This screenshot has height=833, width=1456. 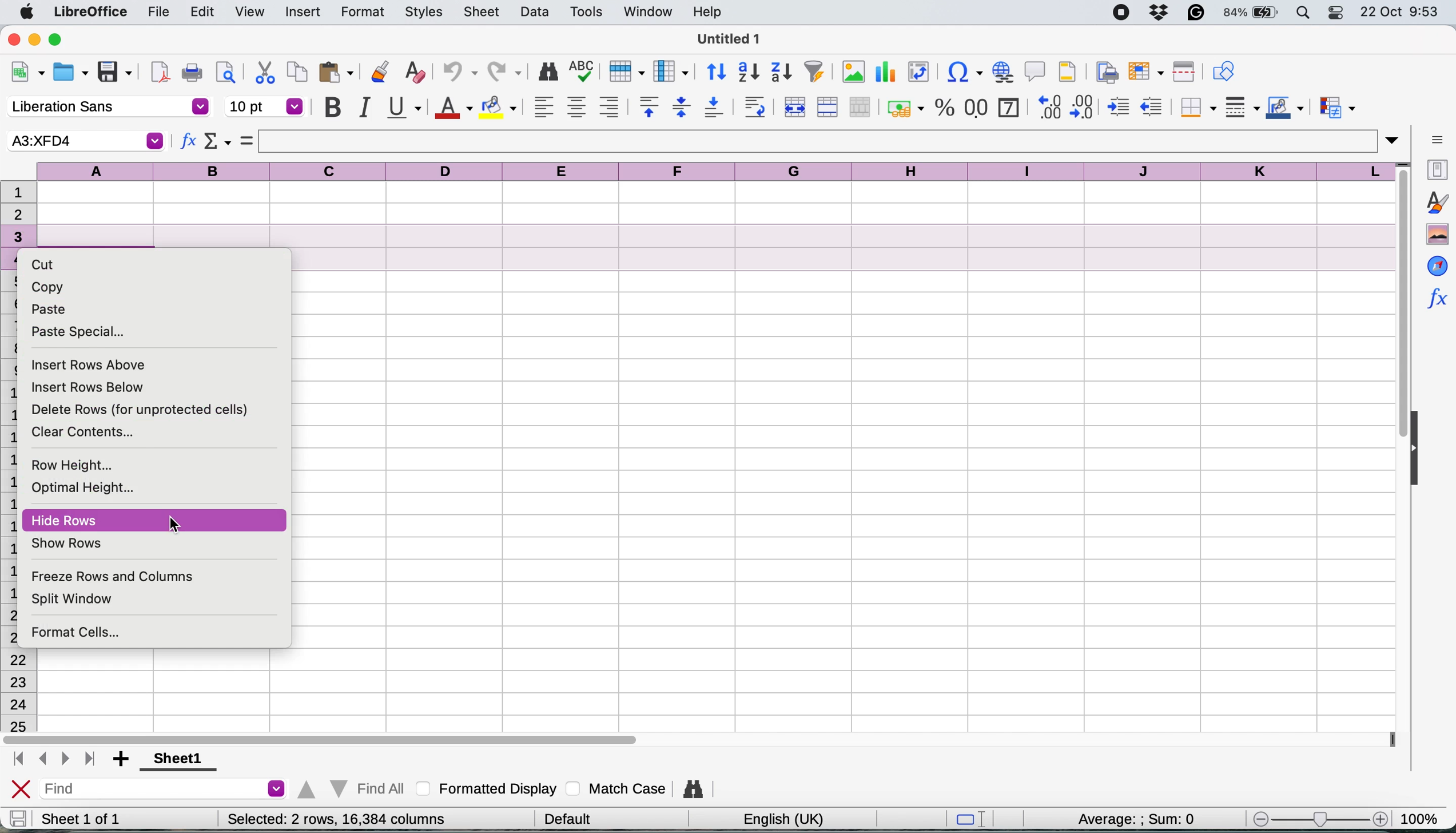 I want to click on italic, so click(x=363, y=107).